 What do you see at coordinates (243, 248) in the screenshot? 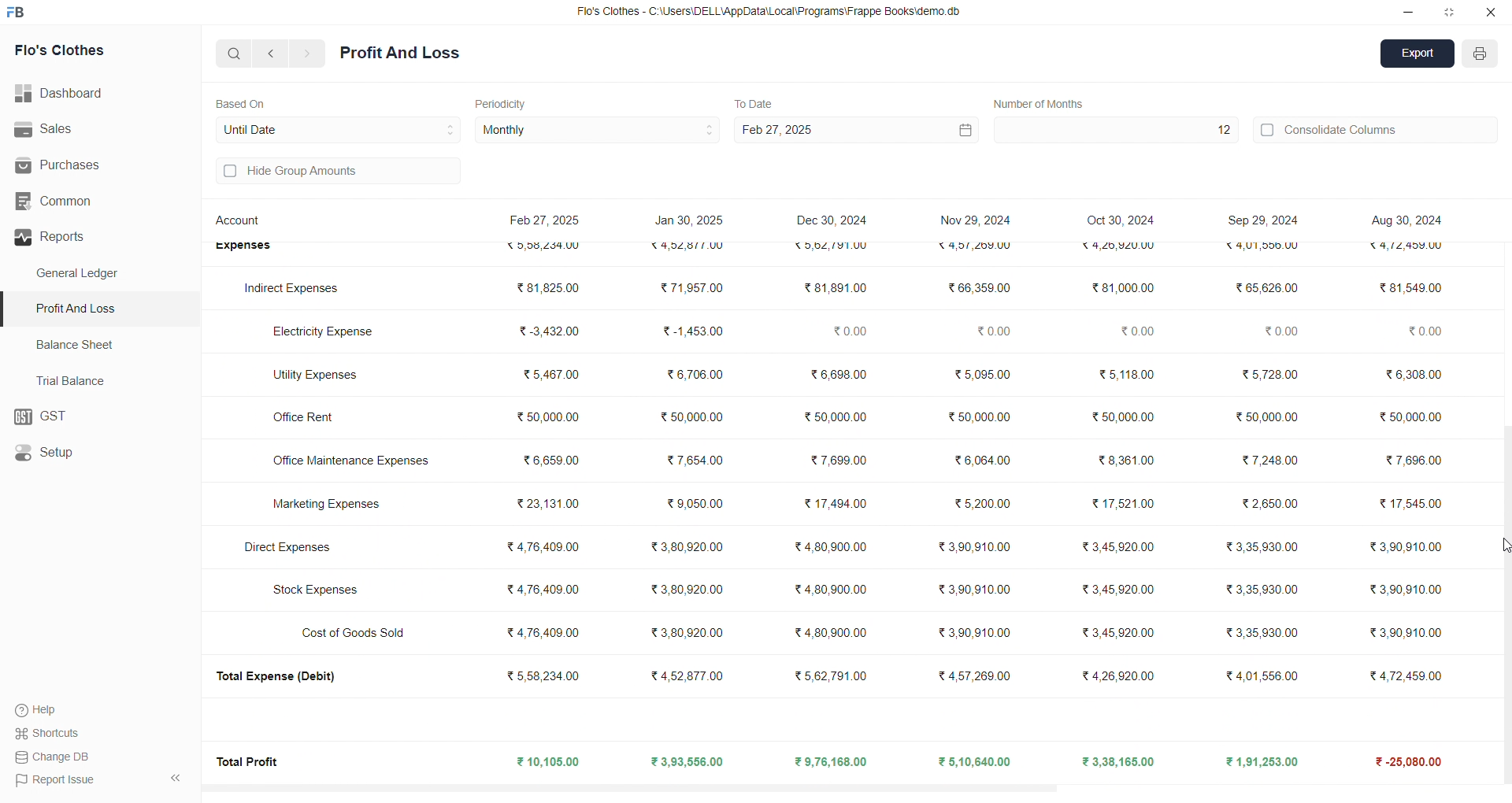
I see `Expenses` at bounding box center [243, 248].